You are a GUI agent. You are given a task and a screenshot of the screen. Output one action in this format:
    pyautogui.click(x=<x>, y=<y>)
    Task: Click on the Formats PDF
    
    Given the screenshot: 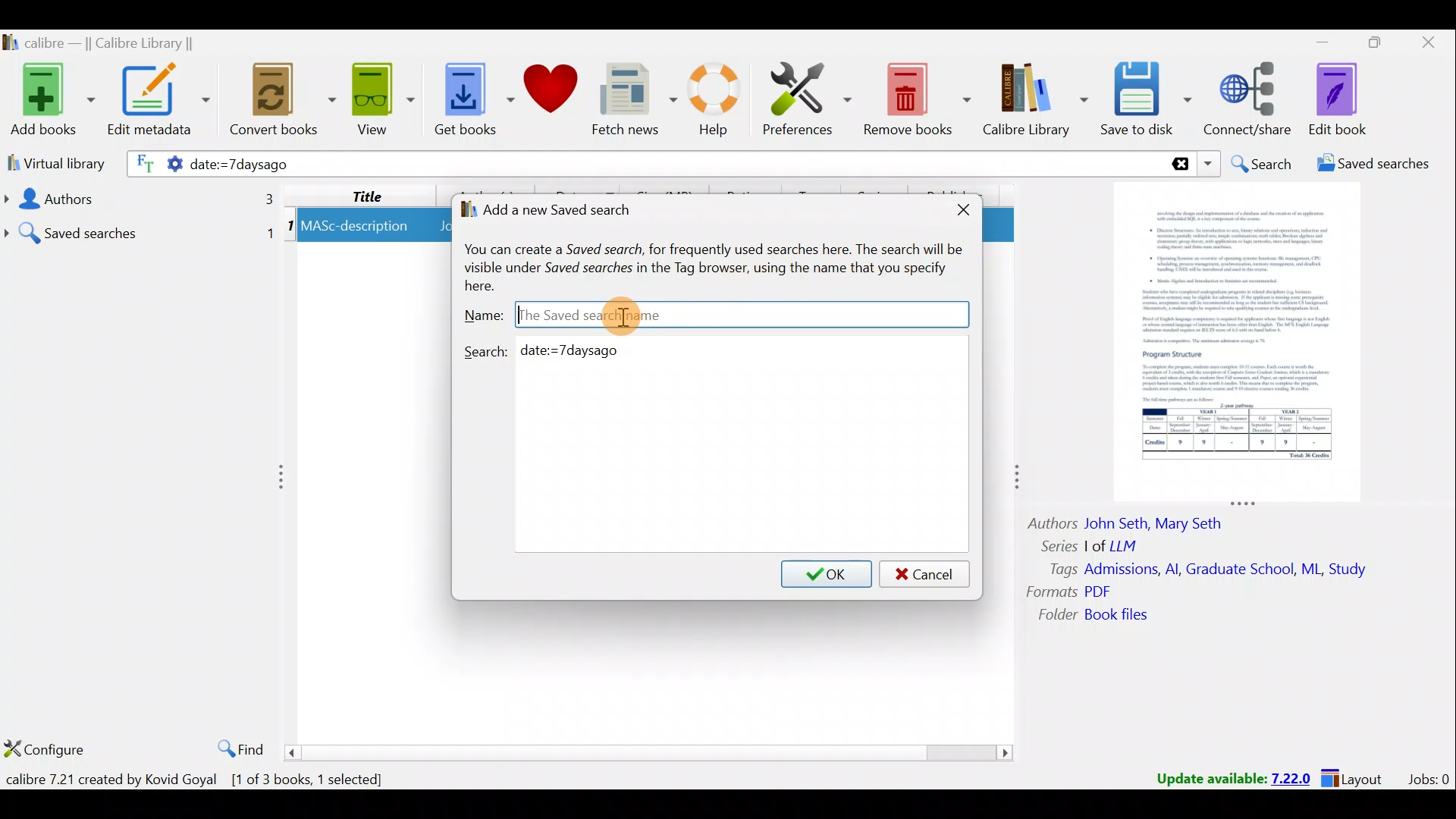 What is the action you would take?
    pyautogui.click(x=1069, y=591)
    